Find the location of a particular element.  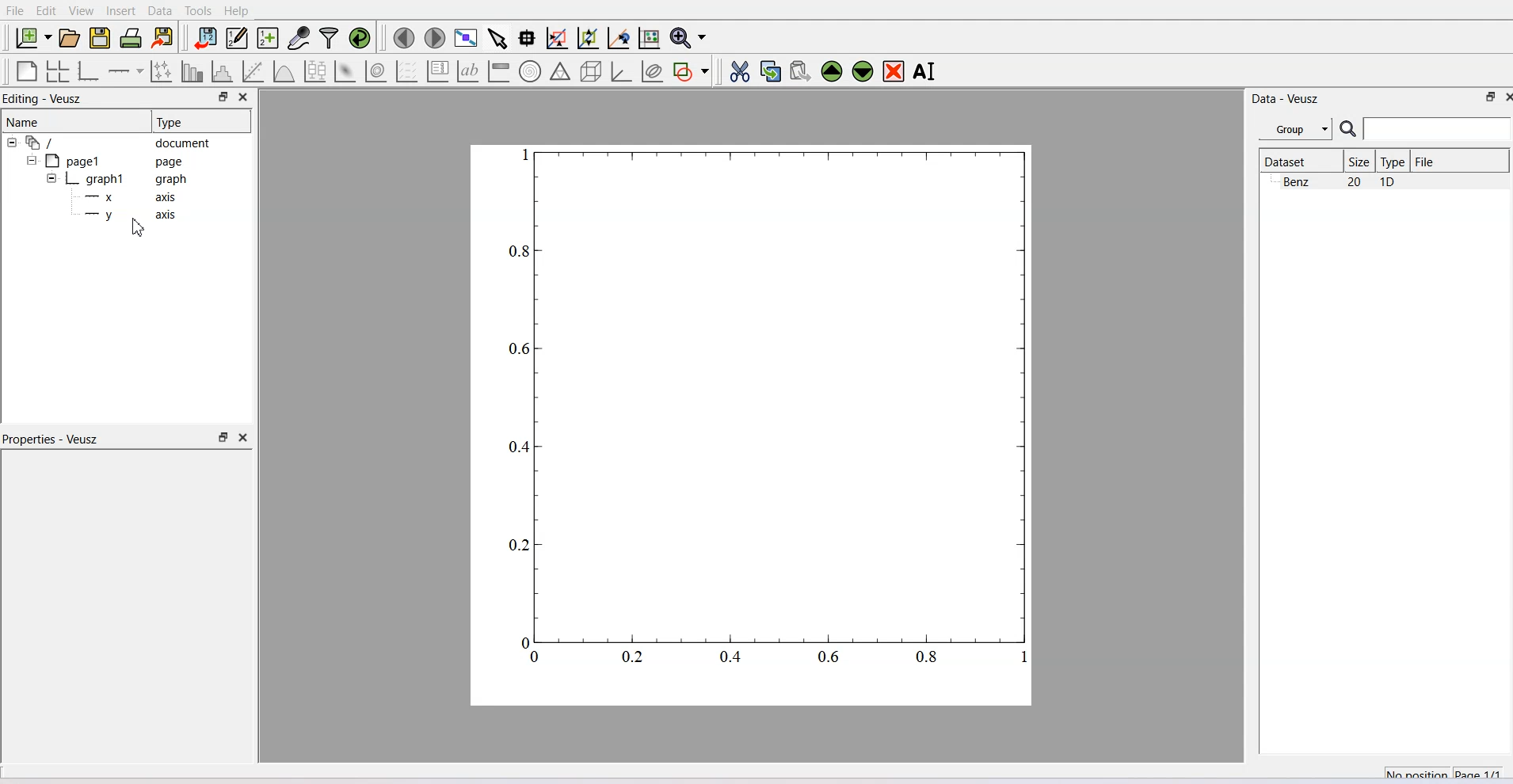

Copy the selected widget is located at coordinates (771, 71).